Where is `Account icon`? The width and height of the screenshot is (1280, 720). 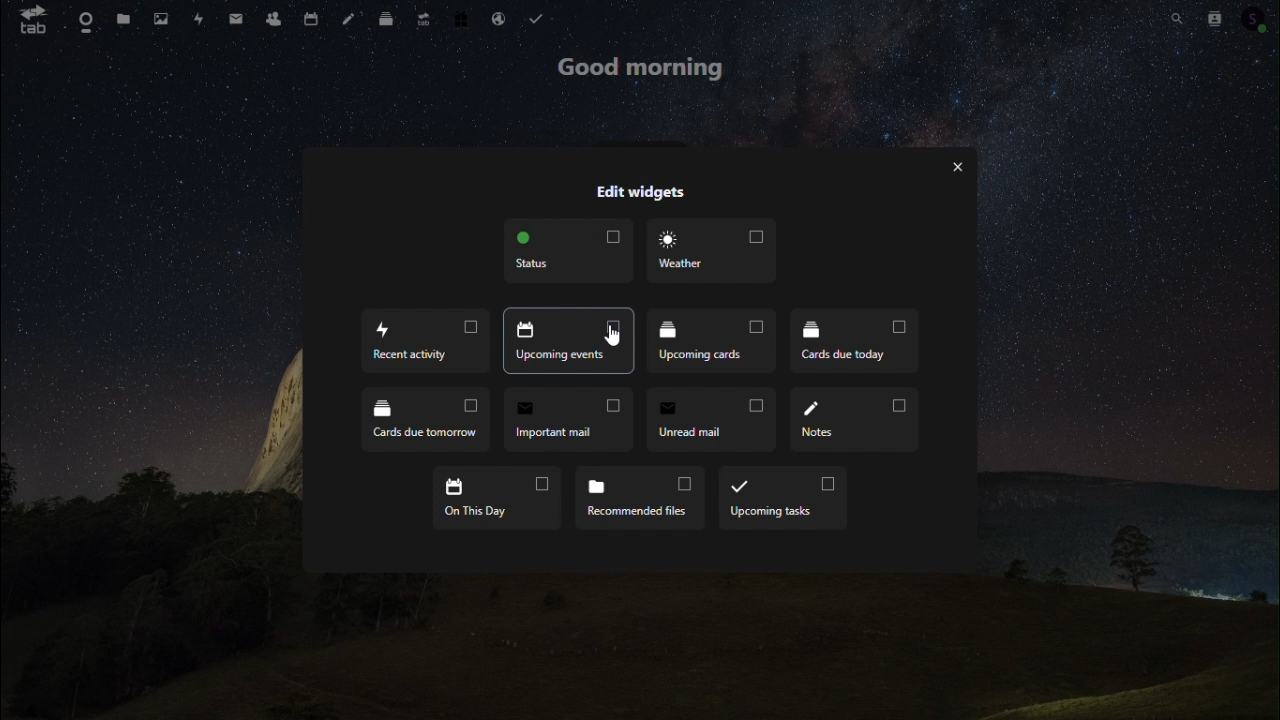
Account icon is located at coordinates (1255, 17).